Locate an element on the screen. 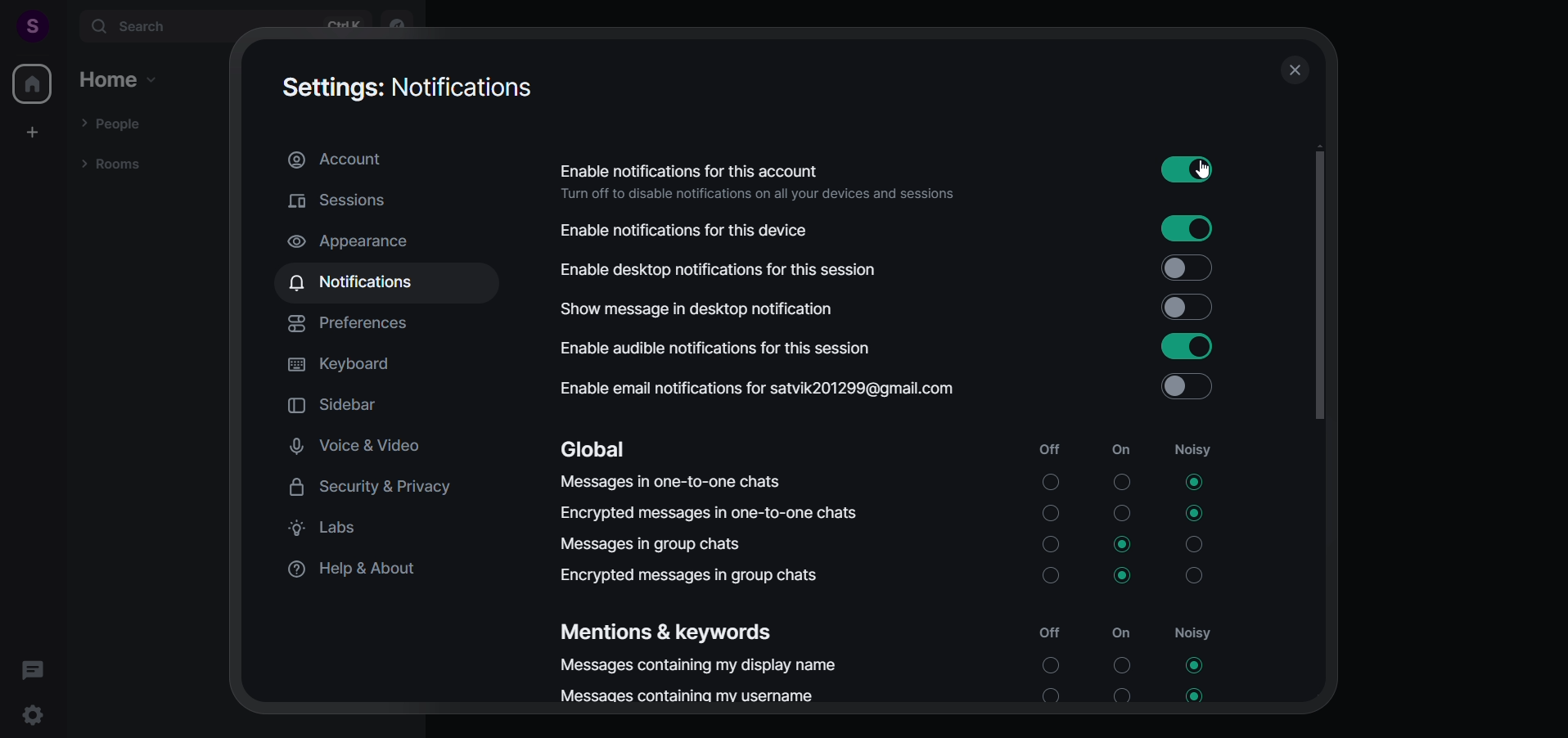 Image resolution: width=1568 pixels, height=738 pixels. enable audio notification is located at coordinates (893, 348).